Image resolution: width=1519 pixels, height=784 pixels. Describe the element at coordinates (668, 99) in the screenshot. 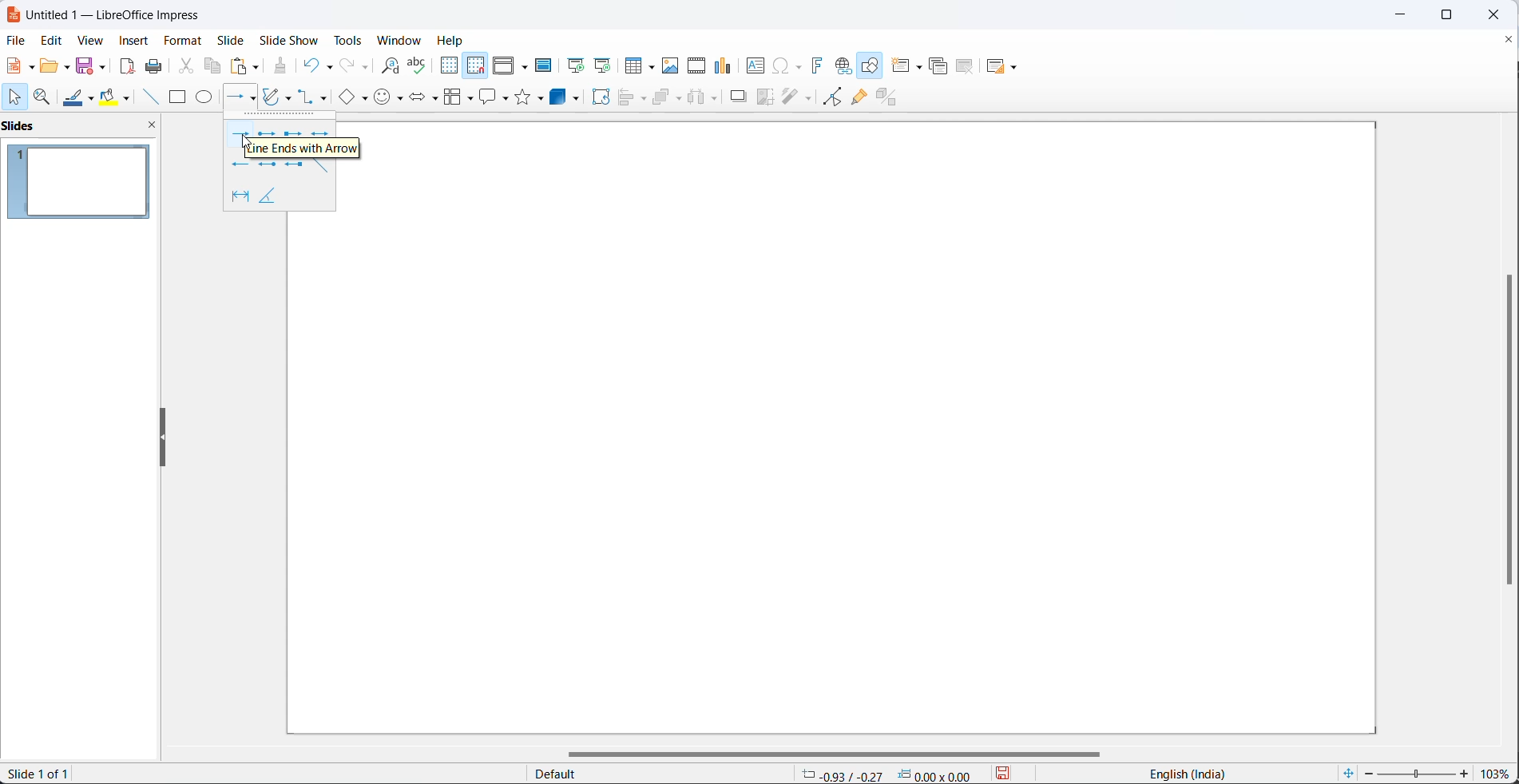

I see `arrange` at that location.